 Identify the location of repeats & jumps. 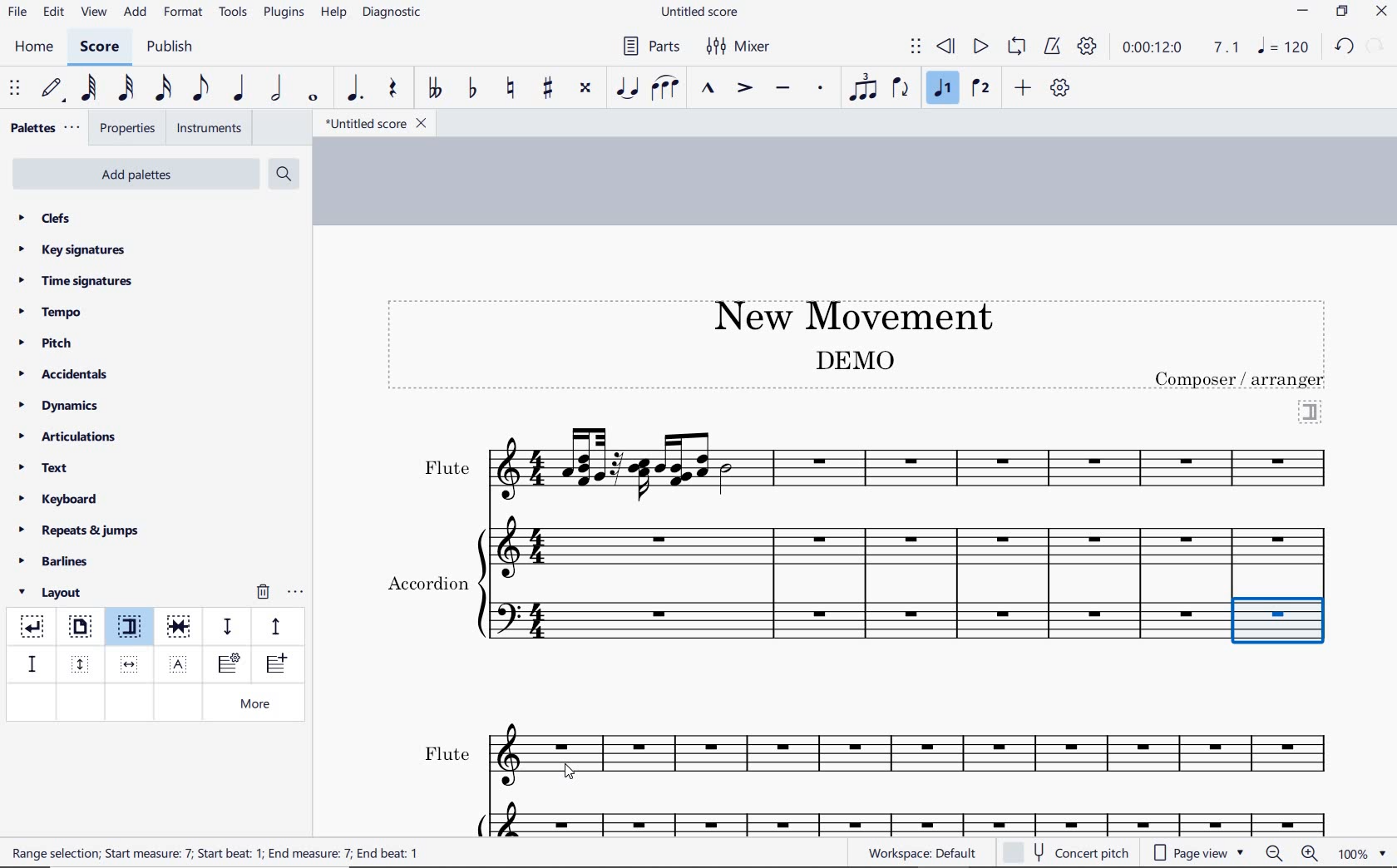
(79, 528).